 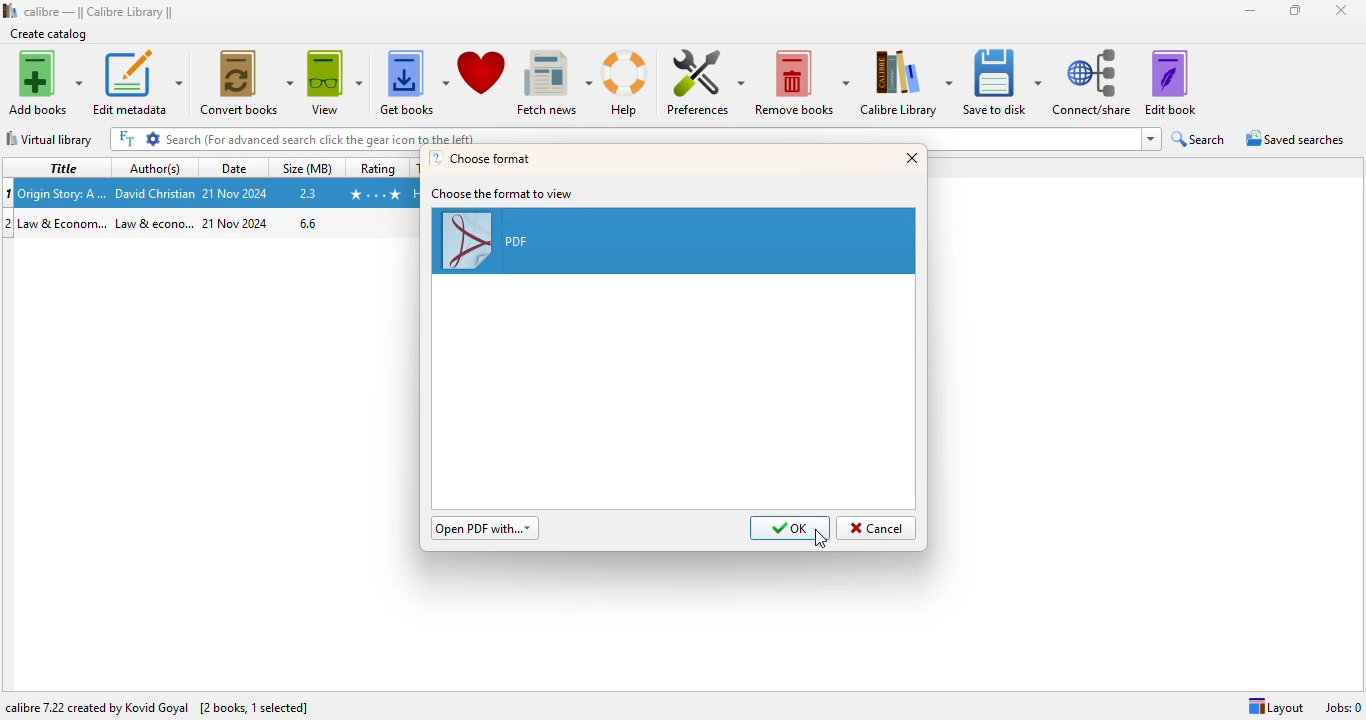 What do you see at coordinates (554, 83) in the screenshot?
I see `fetch news` at bounding box center [554, 83].